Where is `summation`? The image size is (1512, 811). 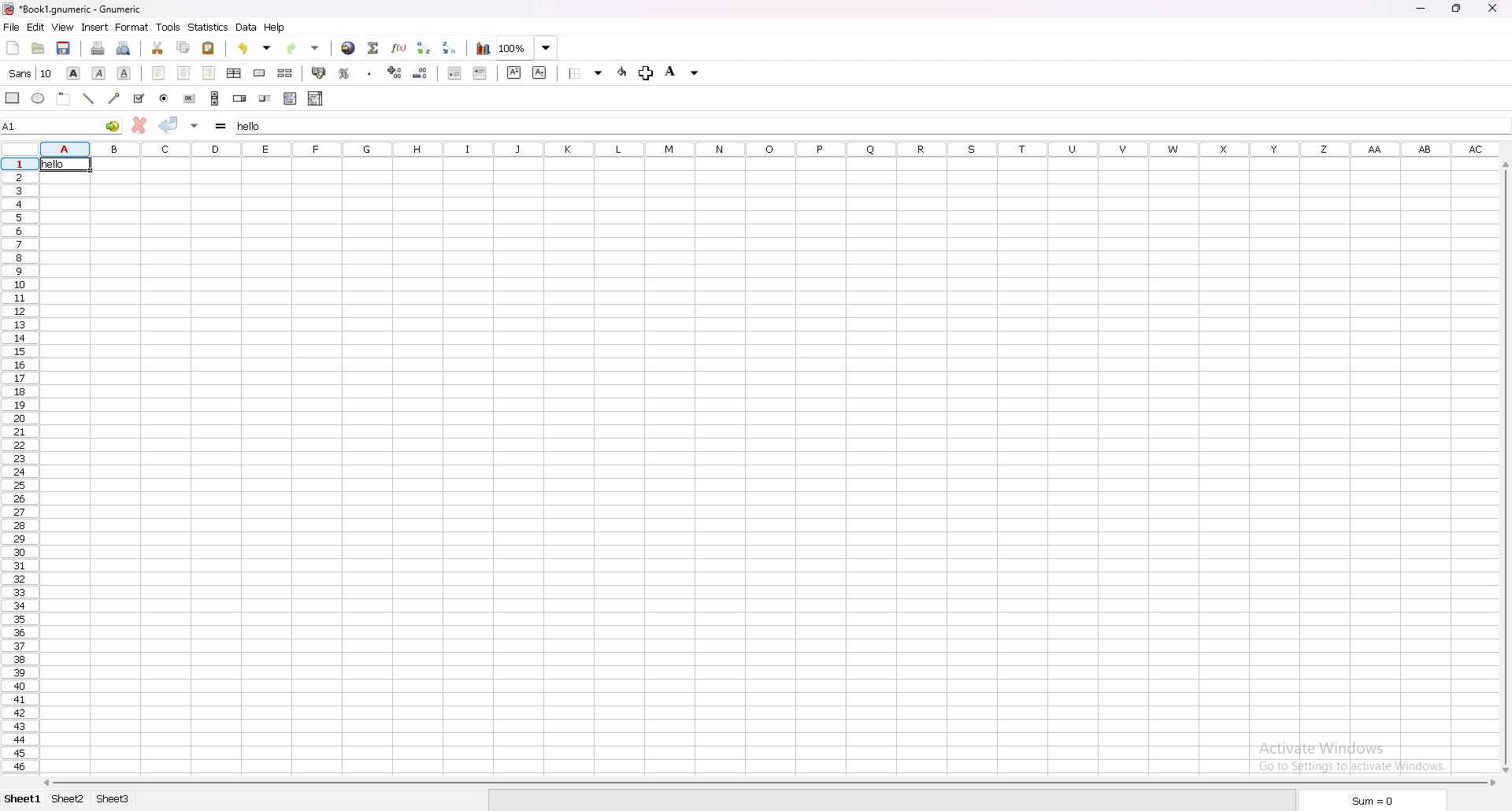 summation is located at coordinates (375, 47).